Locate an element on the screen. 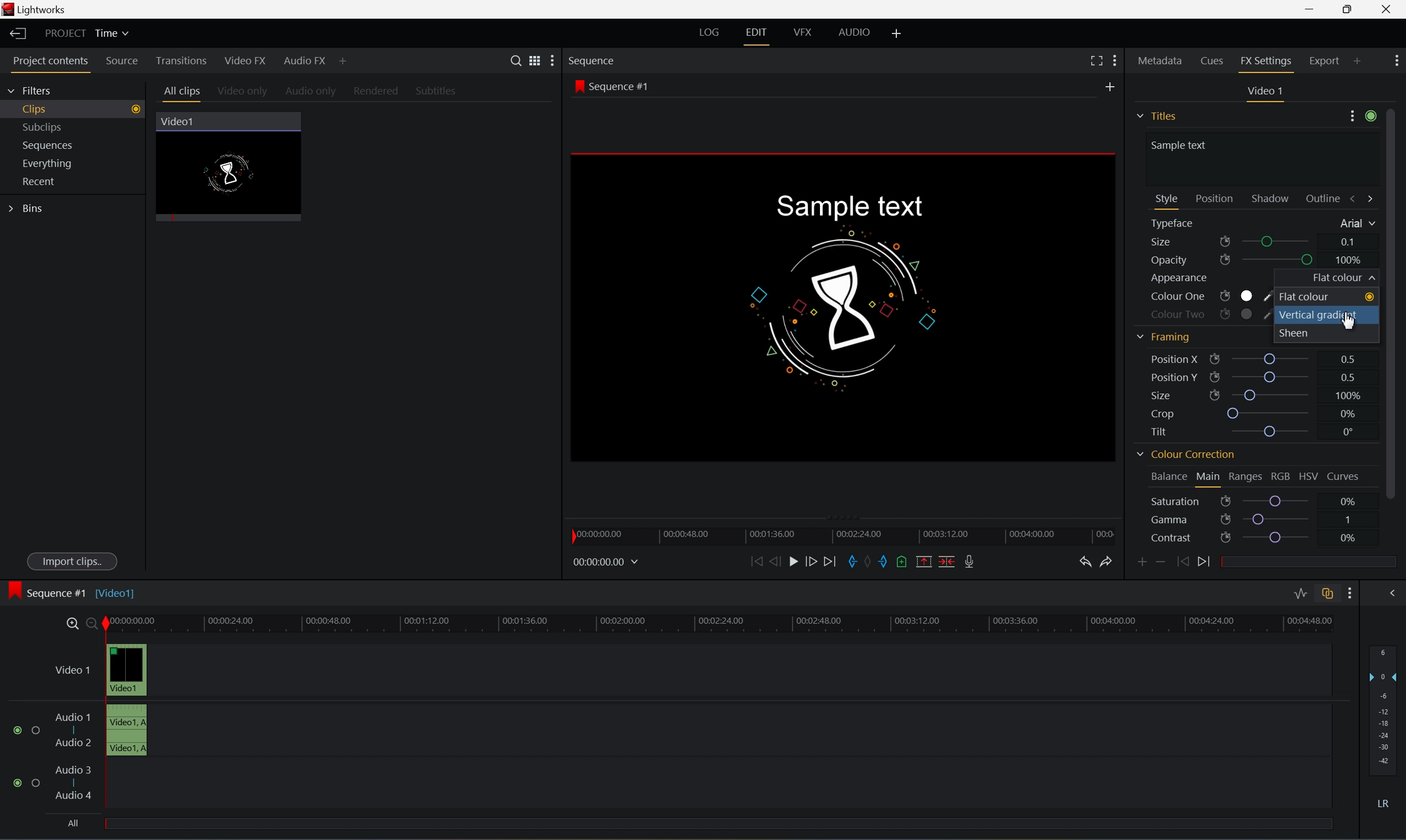 The width and height of the screenshot is (1406, 840). sheen is located at coordinates (1303, 332).